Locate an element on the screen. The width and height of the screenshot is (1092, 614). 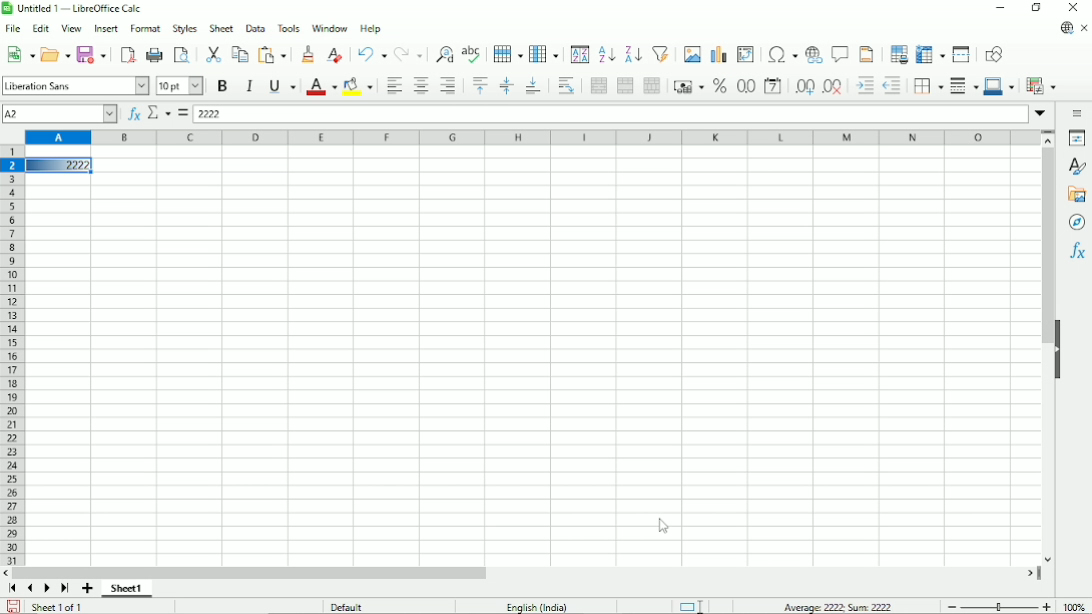
Condition applied is located at coordinates (59, 165).